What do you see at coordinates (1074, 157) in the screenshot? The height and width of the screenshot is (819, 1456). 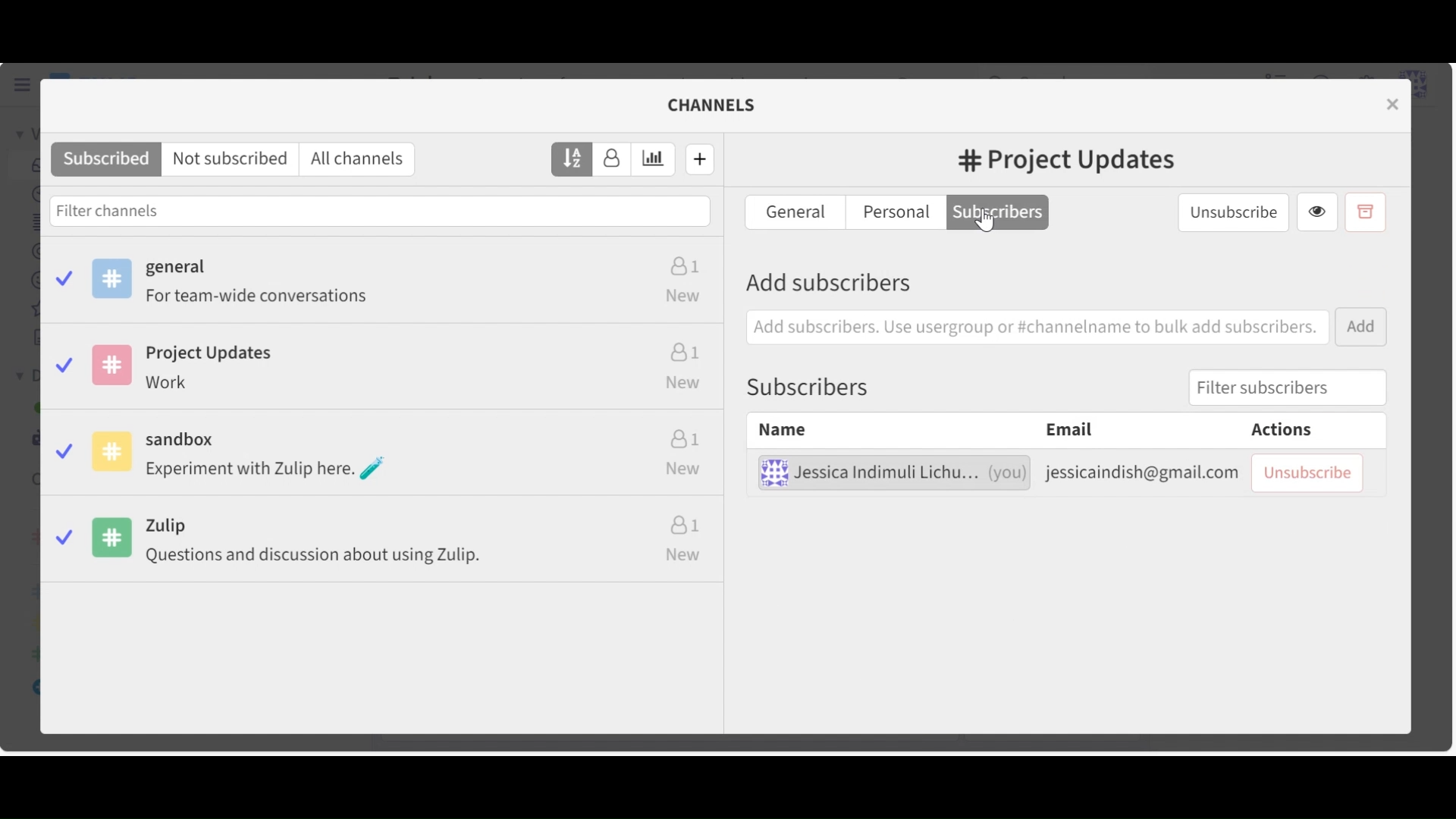 I see `Project Updates` at bounding box center [1074, 157].